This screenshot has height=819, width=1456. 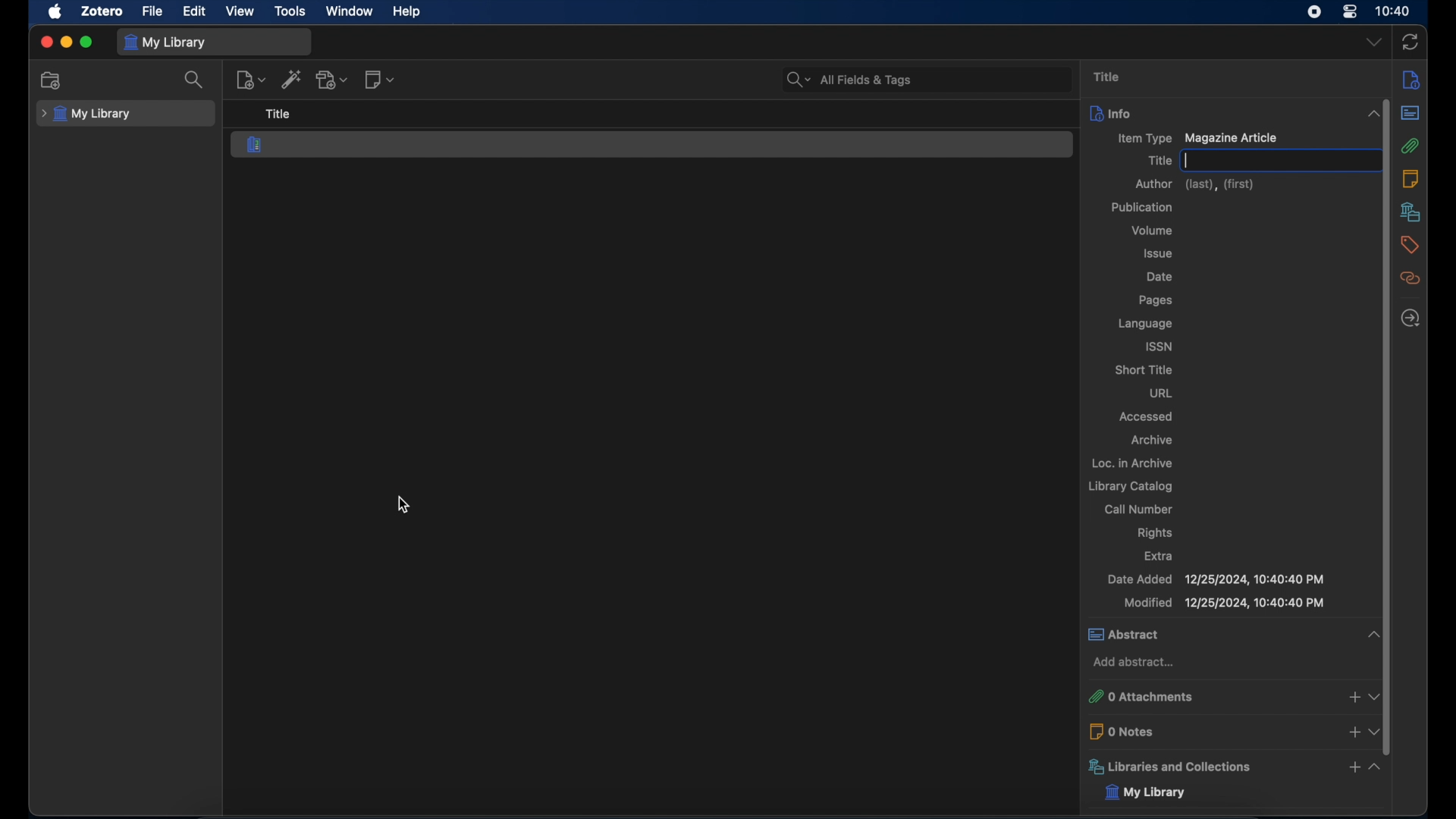 I want to click on language, so click(x=1145, y=324).